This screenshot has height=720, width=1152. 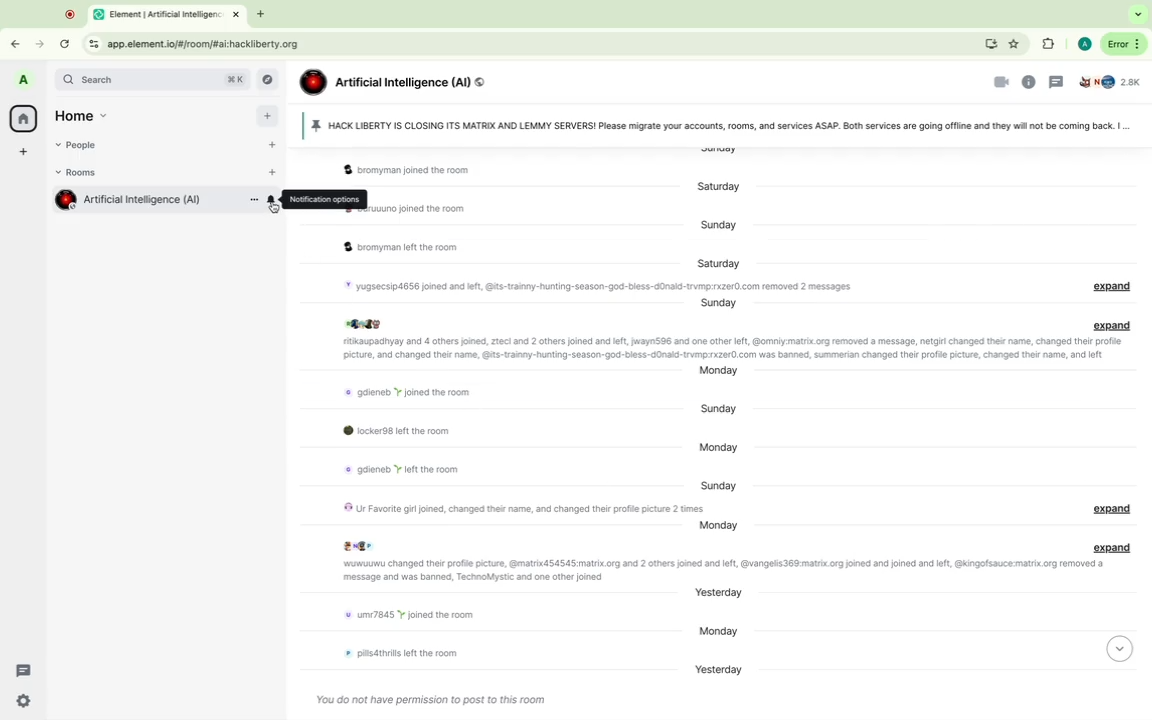 What do you see at coordinates (1122, 651) in the screenshot?
I see `Down` at bounding box center [1122, 651].